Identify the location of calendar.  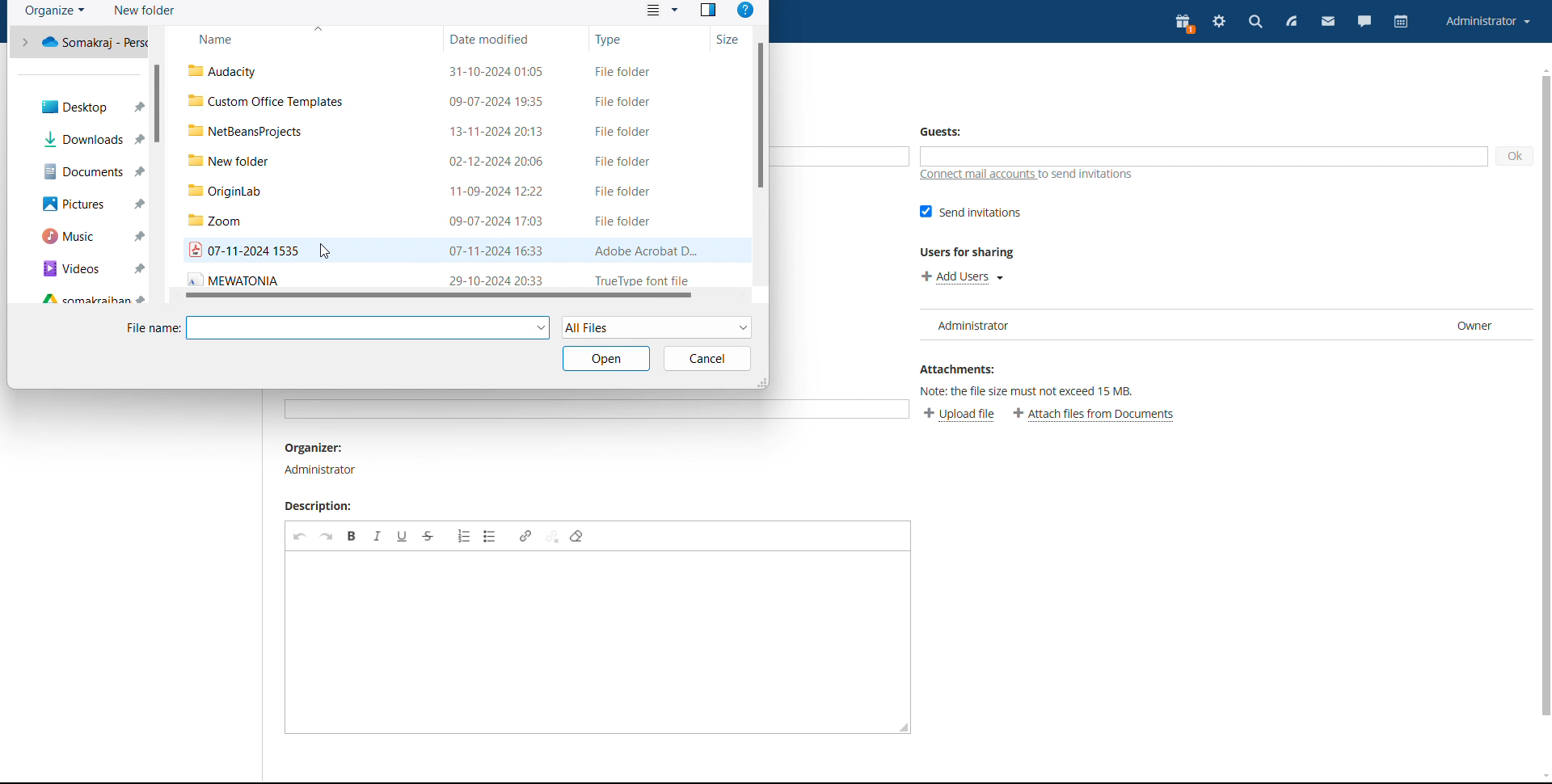
(1401, 21).